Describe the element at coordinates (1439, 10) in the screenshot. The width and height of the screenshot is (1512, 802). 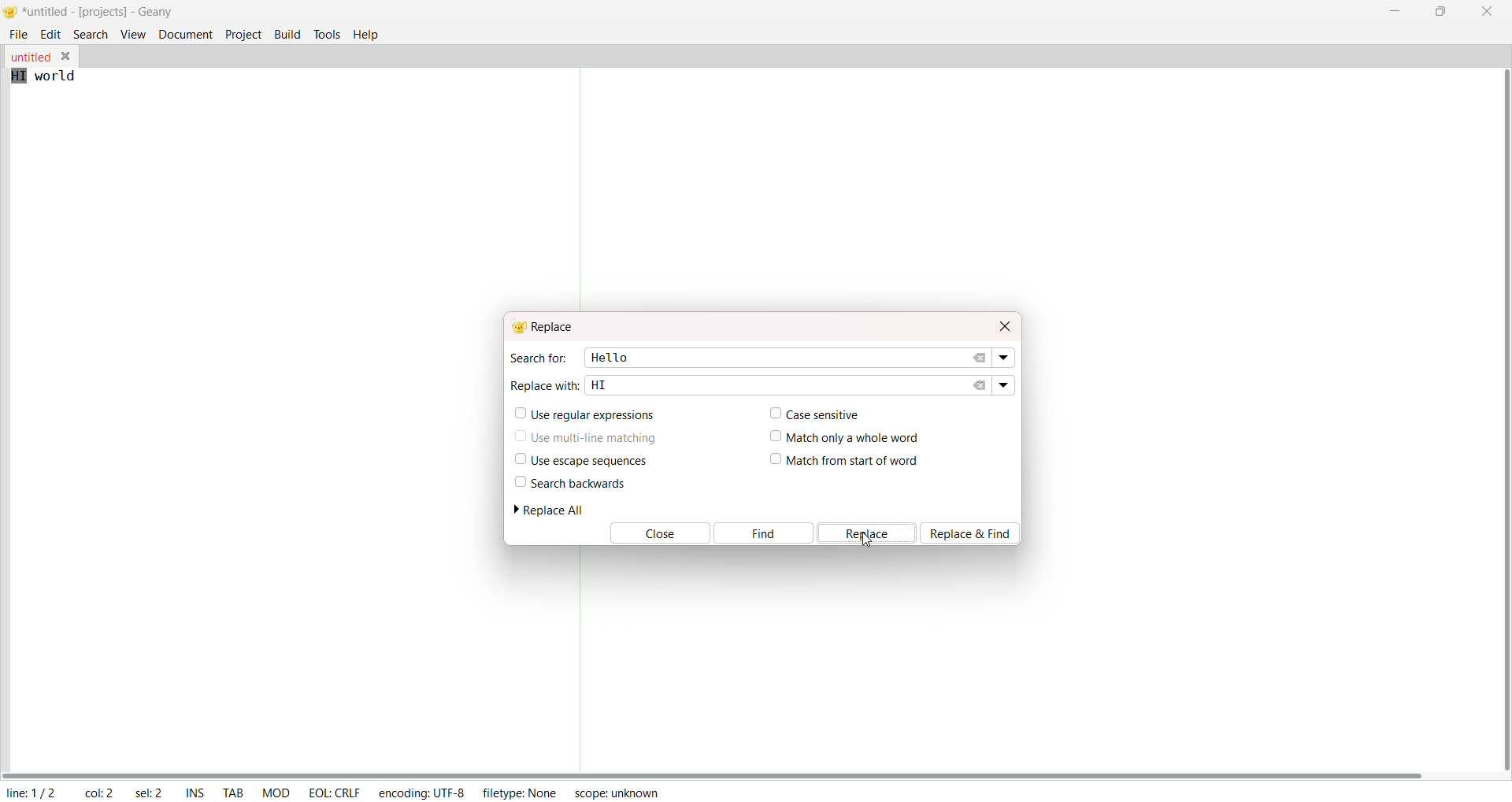
I see `maximize` at that location.